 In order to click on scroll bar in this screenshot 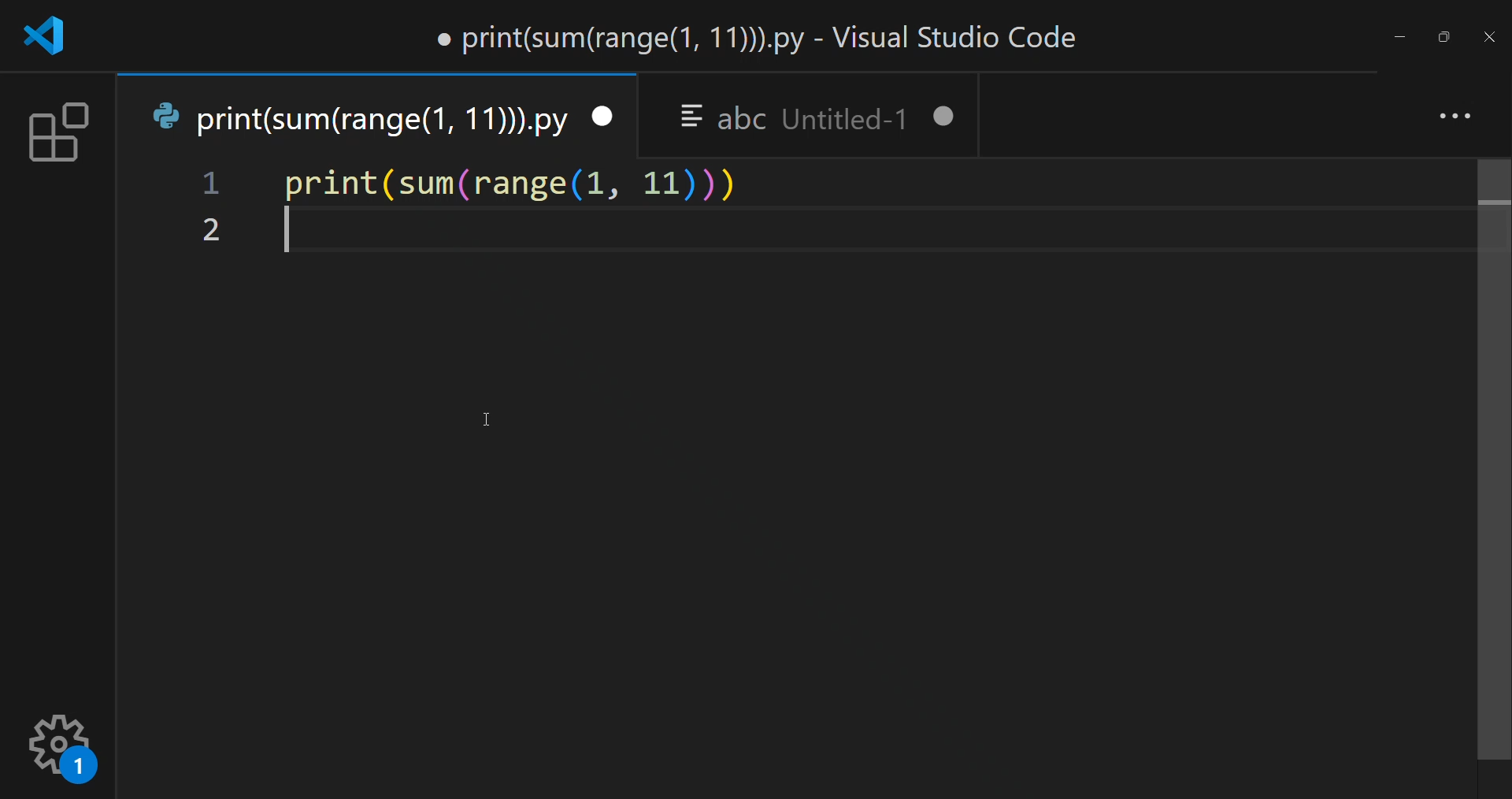, I will do `click(1486, 455)`.